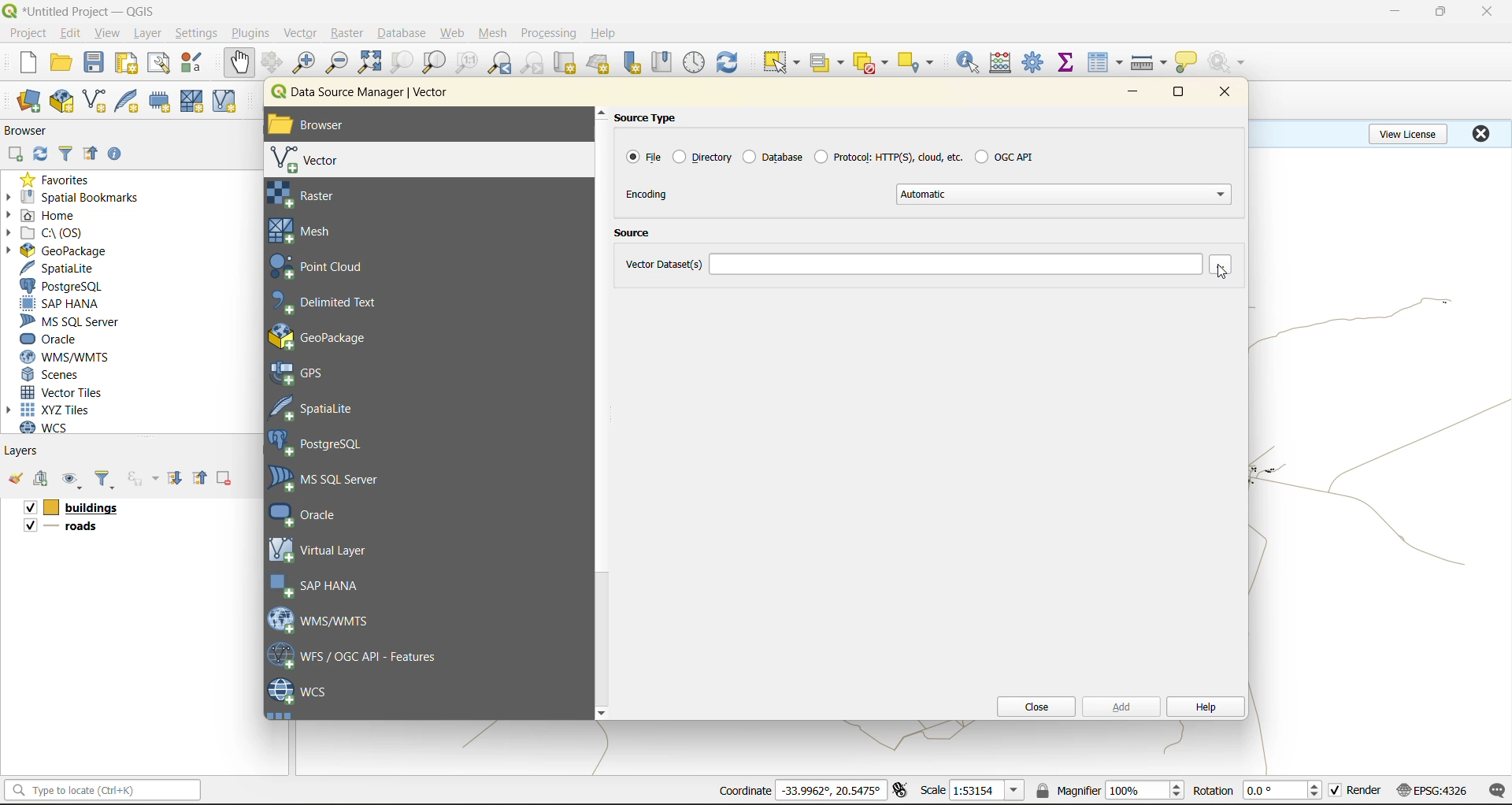 This screenshot has width=1512, height=805. I want to click on browser, so click(32, 133).